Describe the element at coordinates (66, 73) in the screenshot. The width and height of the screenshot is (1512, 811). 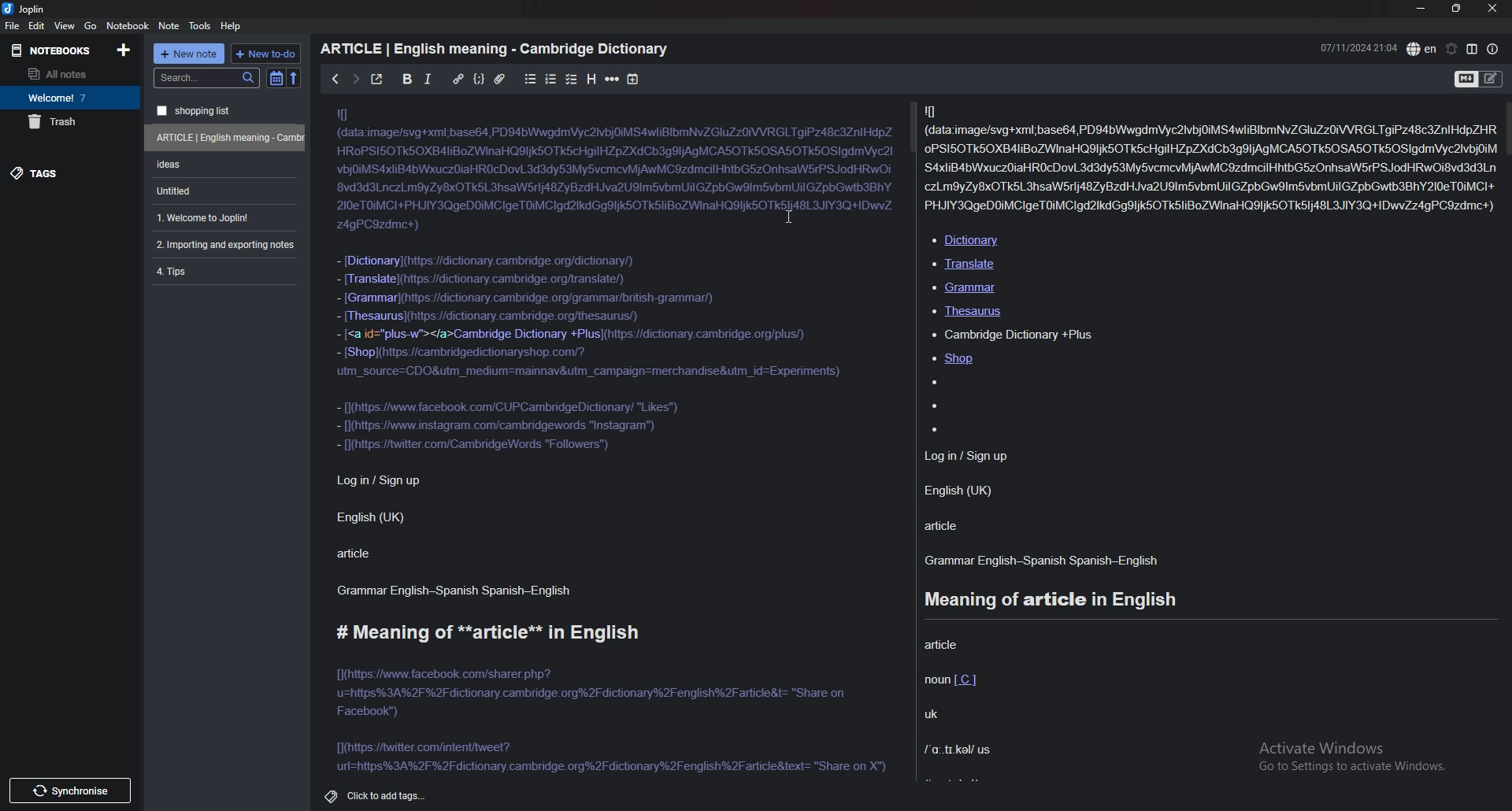
I see `all notes` at that location.